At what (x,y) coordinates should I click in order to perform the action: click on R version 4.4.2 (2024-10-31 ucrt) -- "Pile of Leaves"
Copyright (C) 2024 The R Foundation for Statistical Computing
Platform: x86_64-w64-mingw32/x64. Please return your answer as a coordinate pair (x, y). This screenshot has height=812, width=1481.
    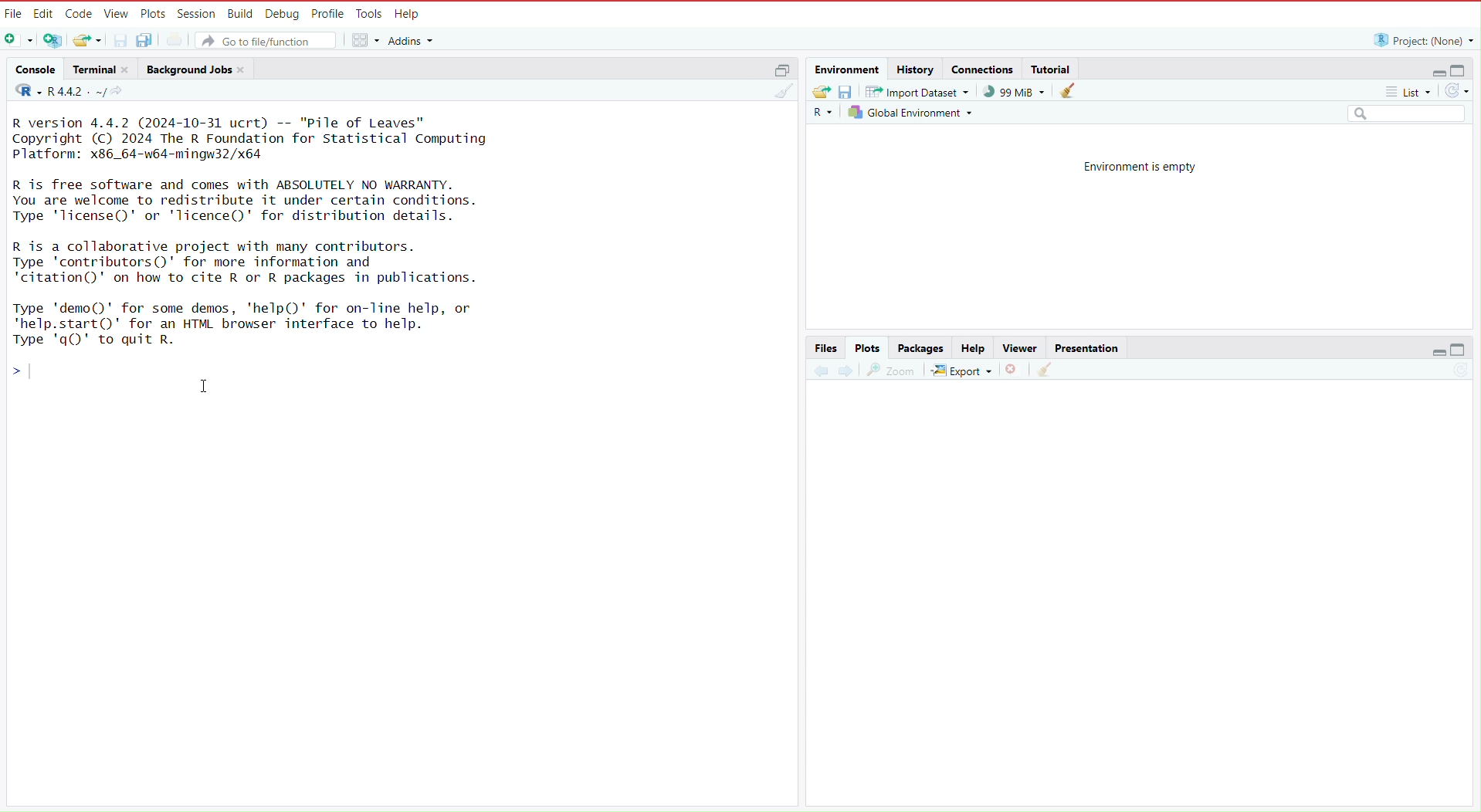
    Looking at the image, I should click on (253, 137).